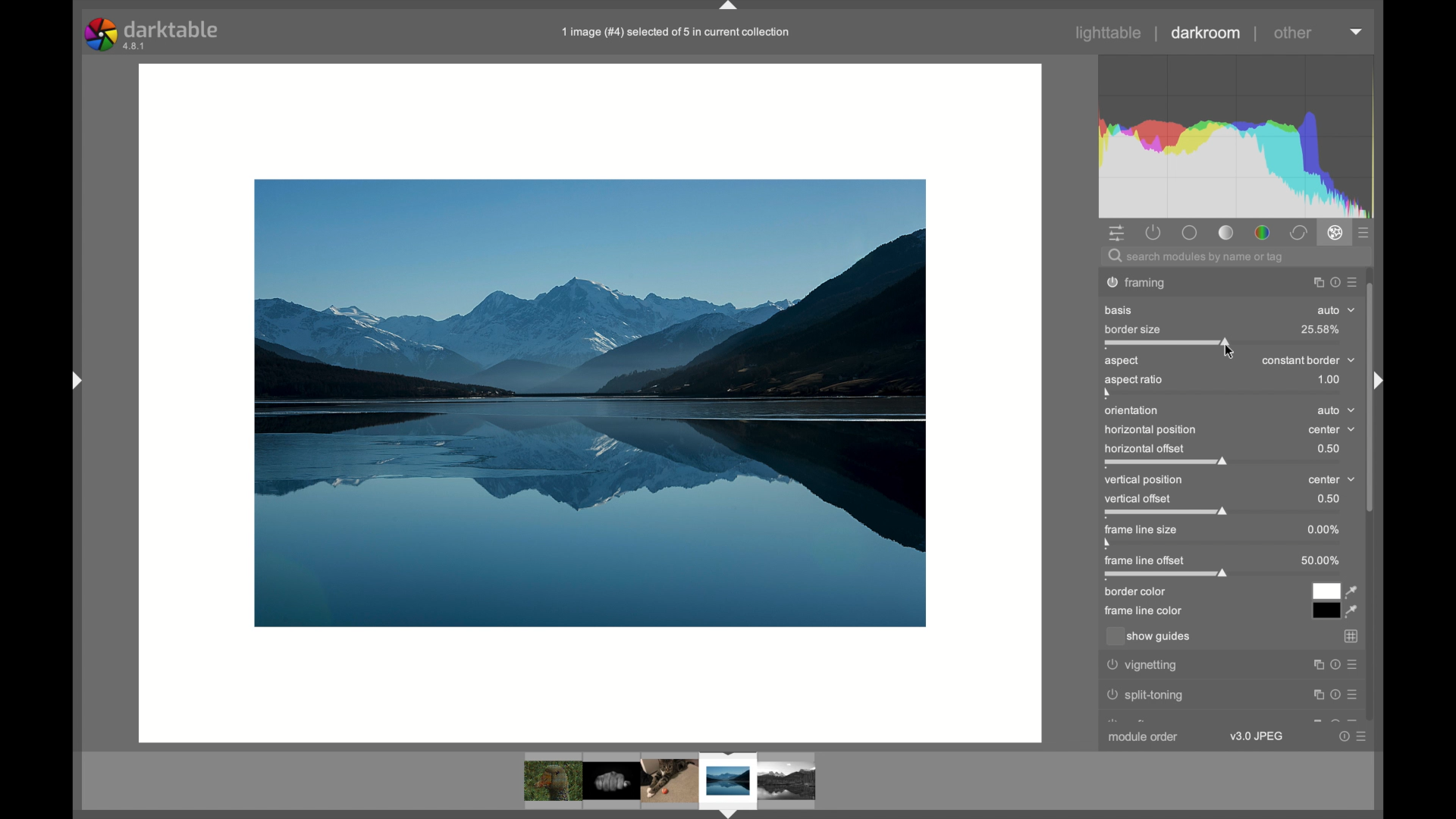 This screenshot has width=1456, height=819. What do you see at coordinates (1329, 449) in the screenshot?
I see `0.5` at bounding box center [1329, 449].